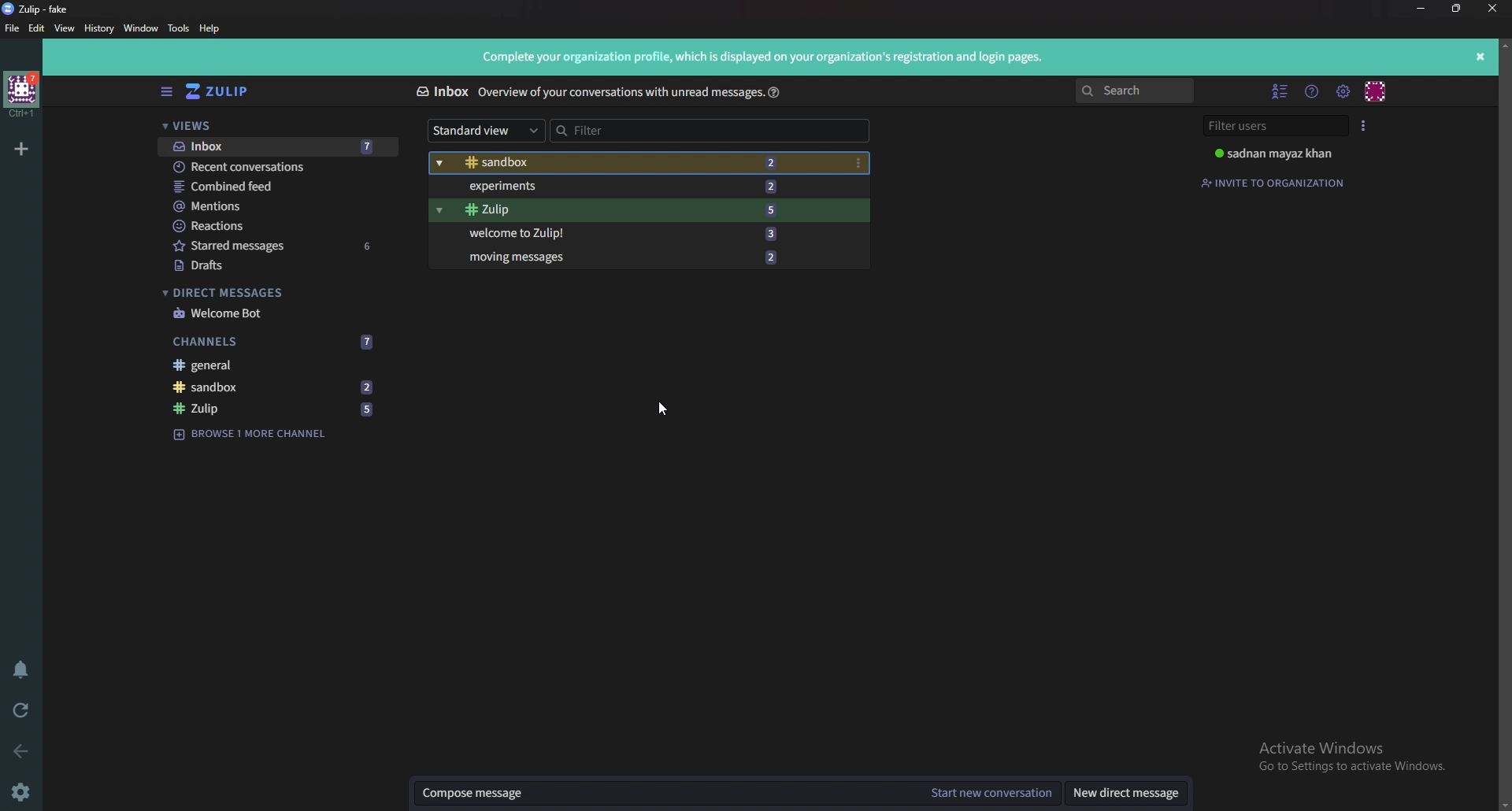  Describe the element at coordinates (140, 29) in the screenshot. I see `window` at that location.